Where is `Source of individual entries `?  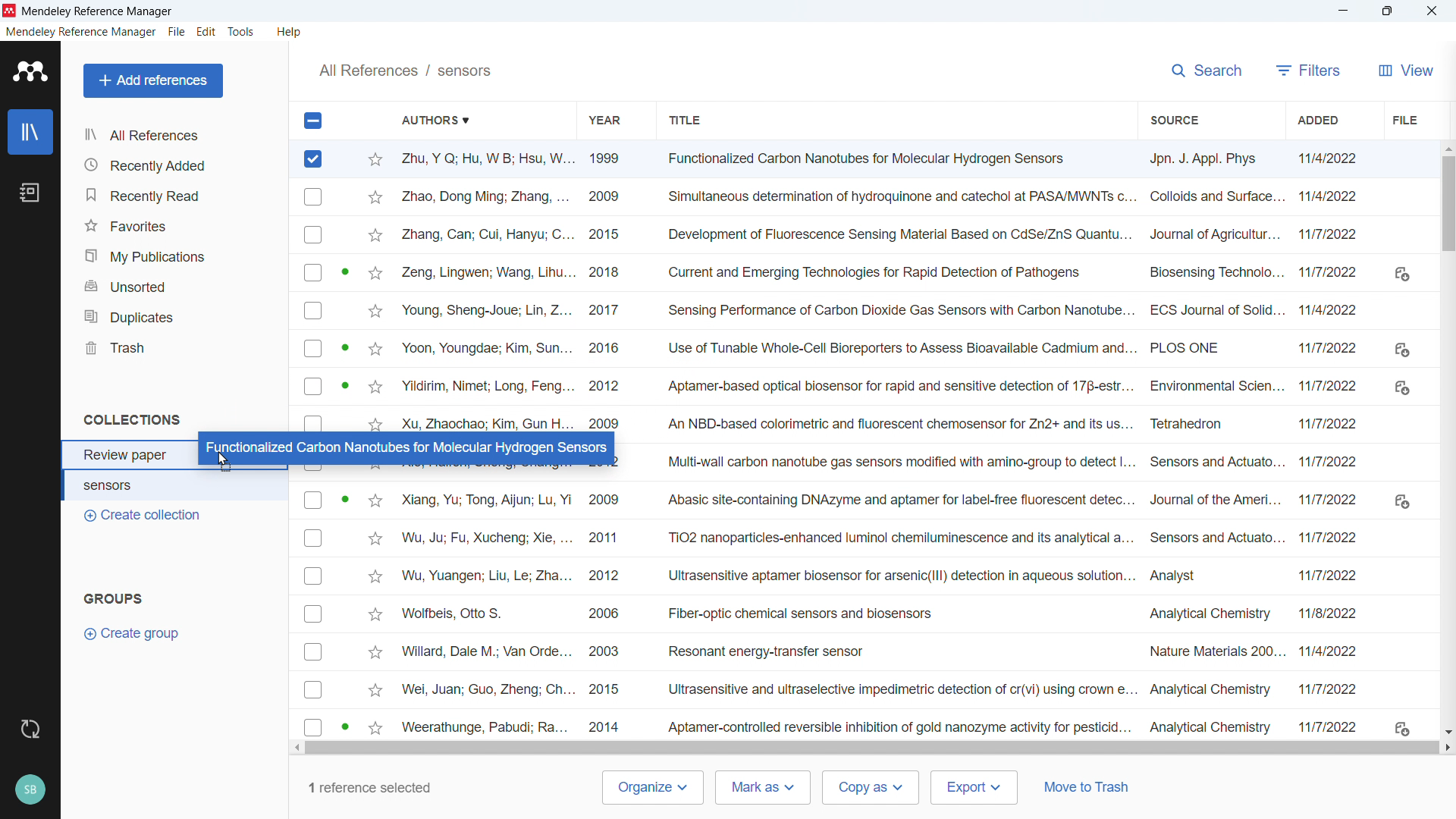
Source of individual entries  is located at coordinates (1214, 443).